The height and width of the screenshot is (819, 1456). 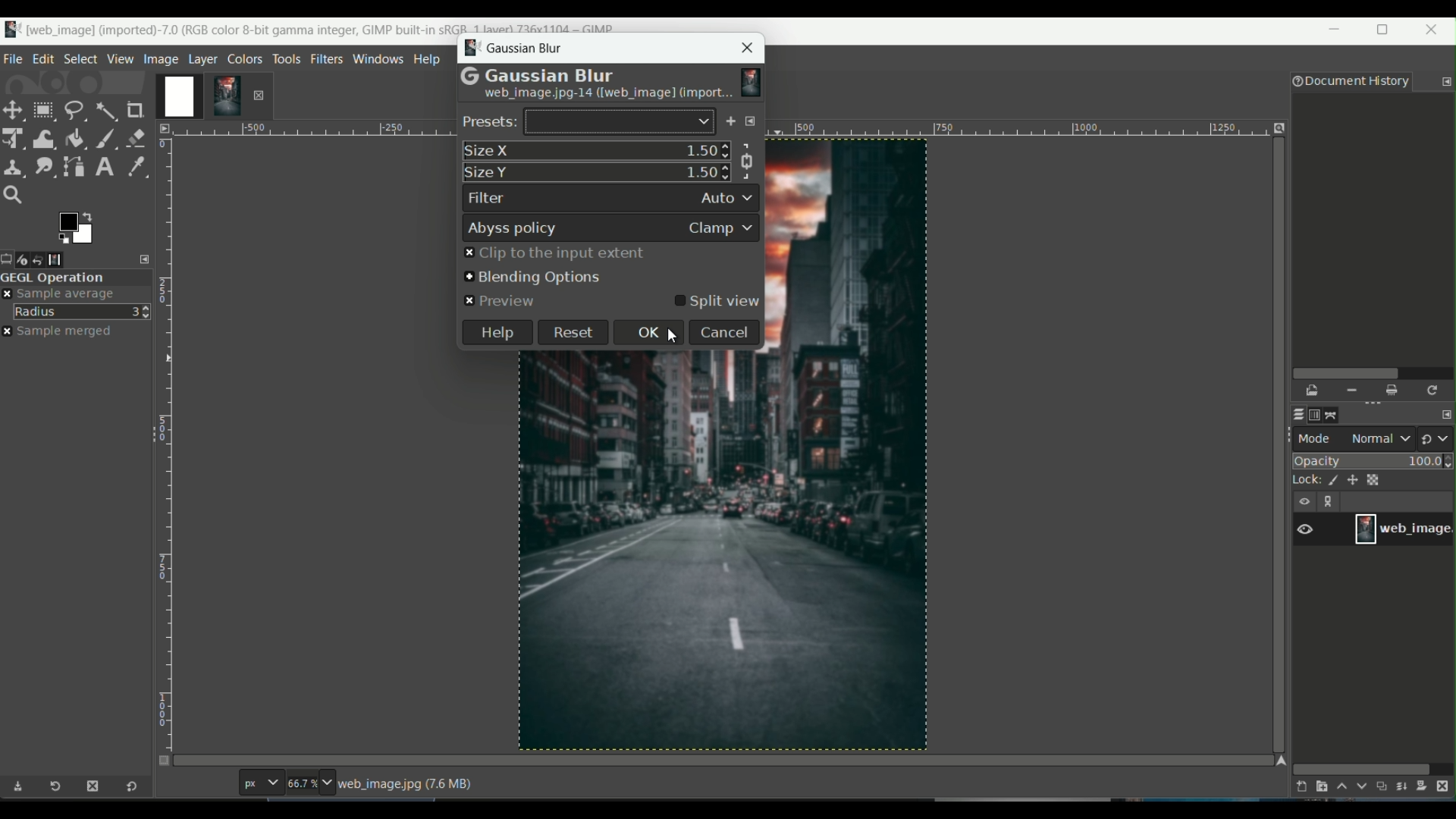 What do you see at coordinates (752, 79) in the screenshot?
I see `image preview` at bounding box center [752, 79].